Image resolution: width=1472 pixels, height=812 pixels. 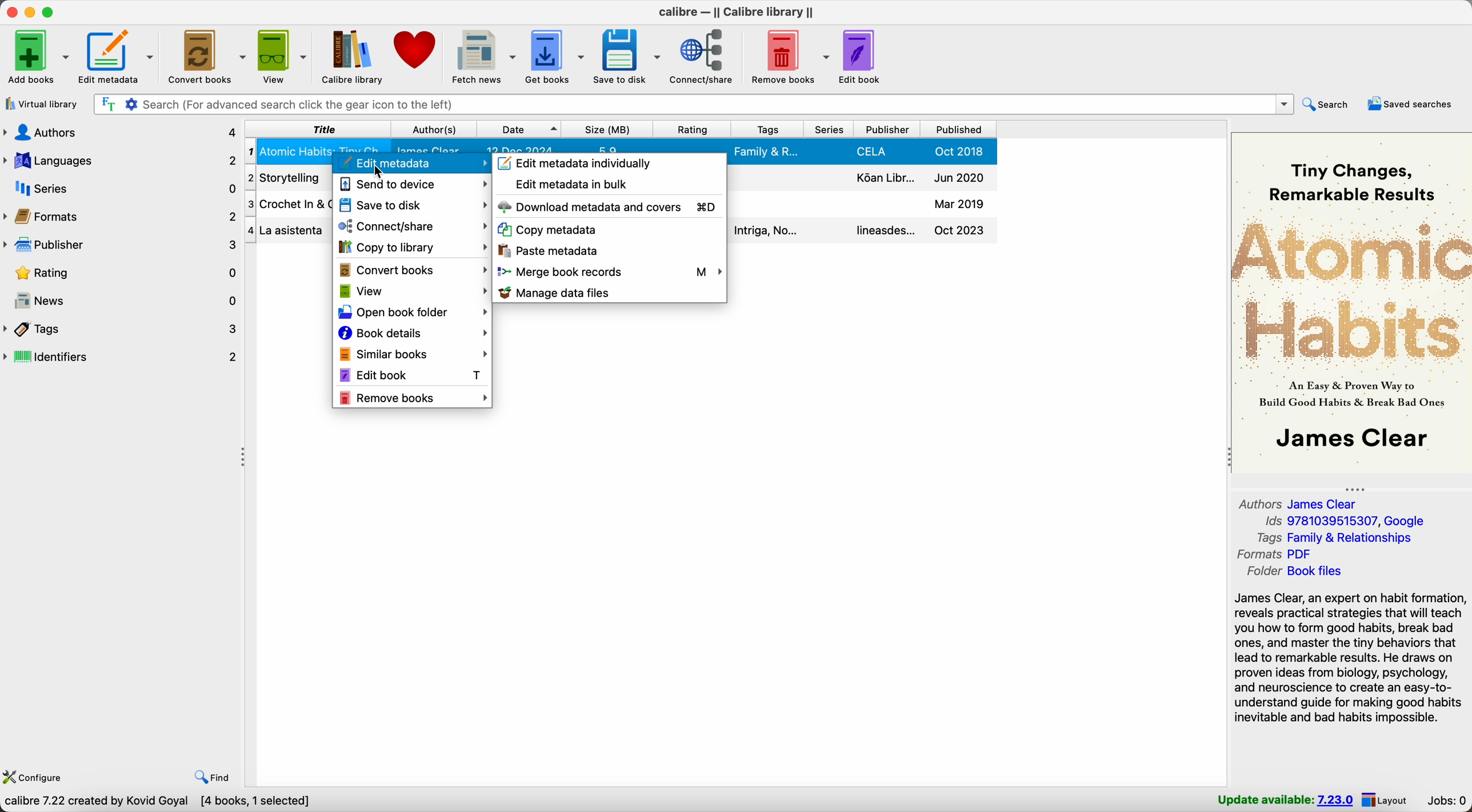 I want to click on donate, so click(x=416, y=49).